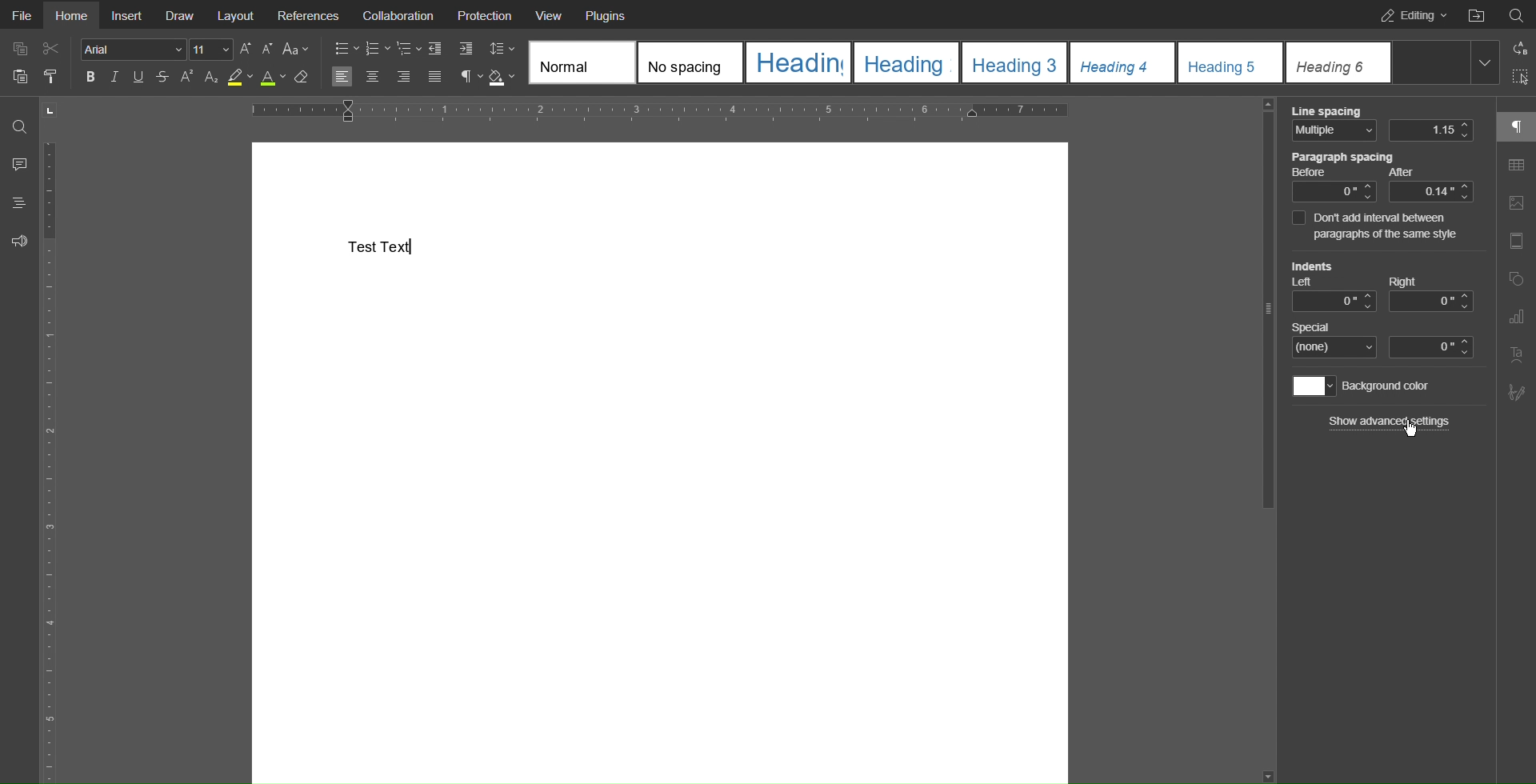 This screenshot has width=1536, height=784. What do you see at coordinates (374, 78) in the screenshot?
I see `Centre Align` at bounding box center [374, 78].